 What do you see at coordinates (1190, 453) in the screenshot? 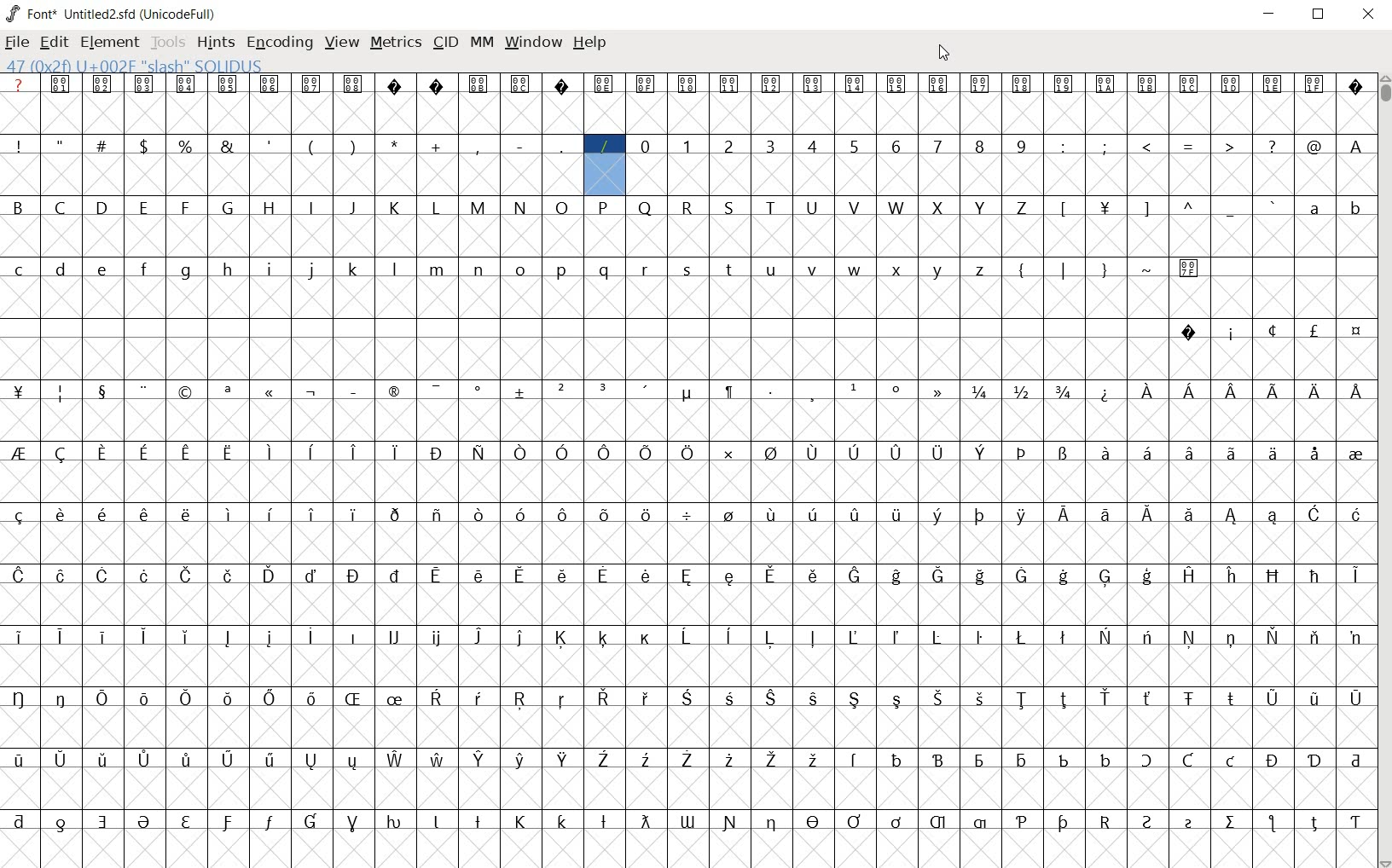
I see `glyph` at bounding box center [1190, 453].